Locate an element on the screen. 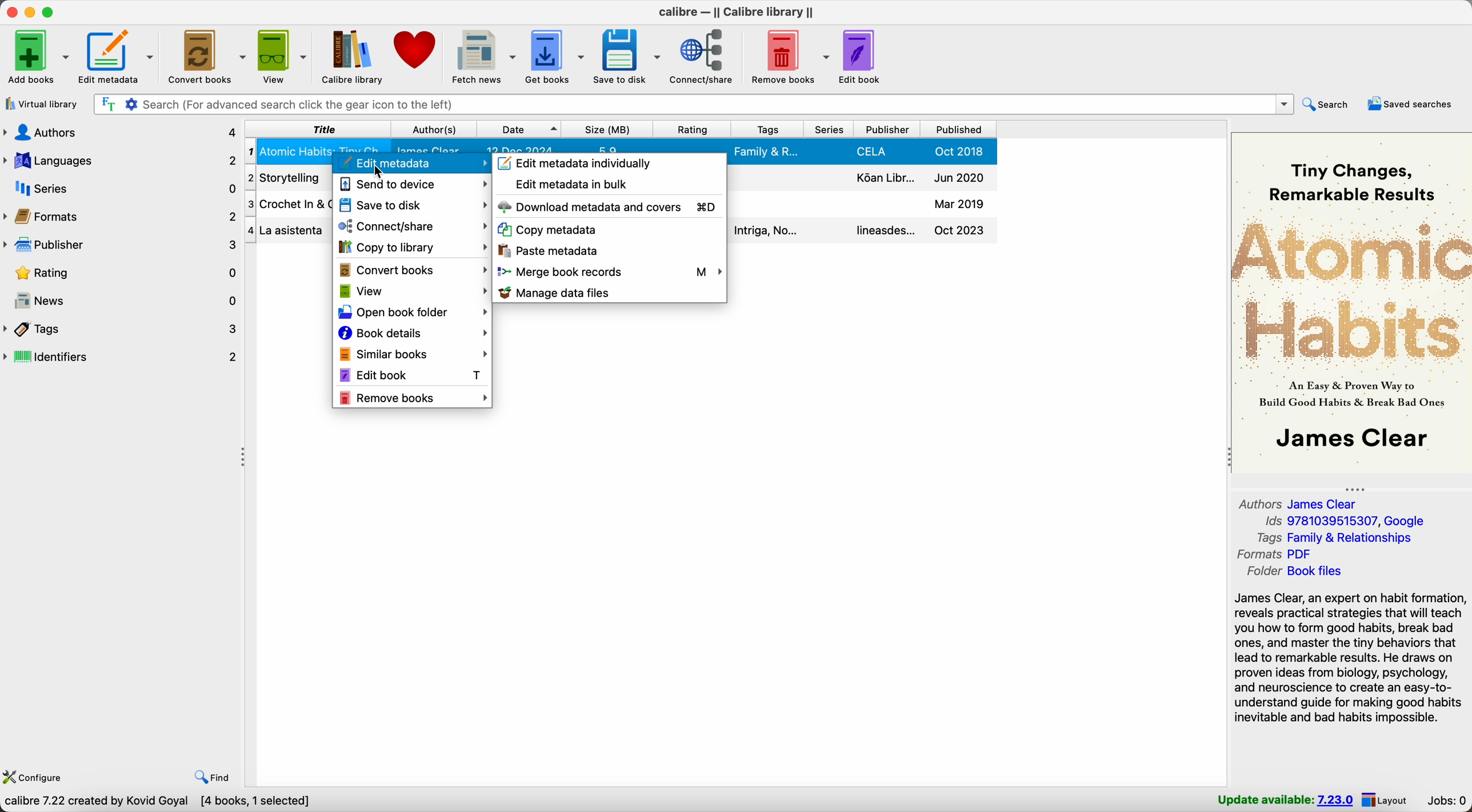 Image resolution: width=1472 pixels, height=812 pixels. authors is located at coordinates (122, 132).